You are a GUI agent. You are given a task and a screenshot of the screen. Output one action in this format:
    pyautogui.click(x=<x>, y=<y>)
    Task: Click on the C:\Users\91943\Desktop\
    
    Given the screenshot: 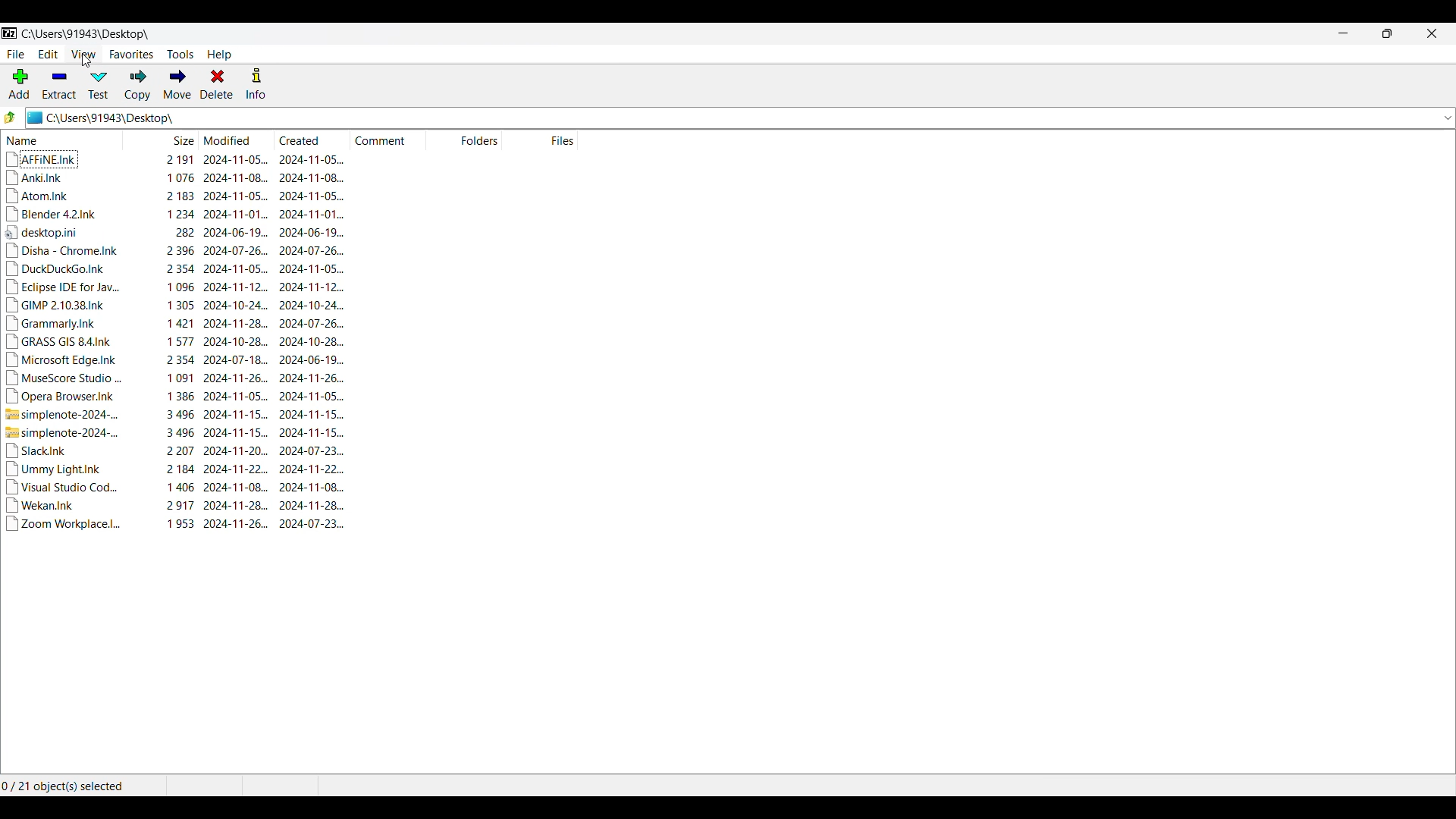 What is the action you would take?
    pyautogui.click(x=147, y=118)
    